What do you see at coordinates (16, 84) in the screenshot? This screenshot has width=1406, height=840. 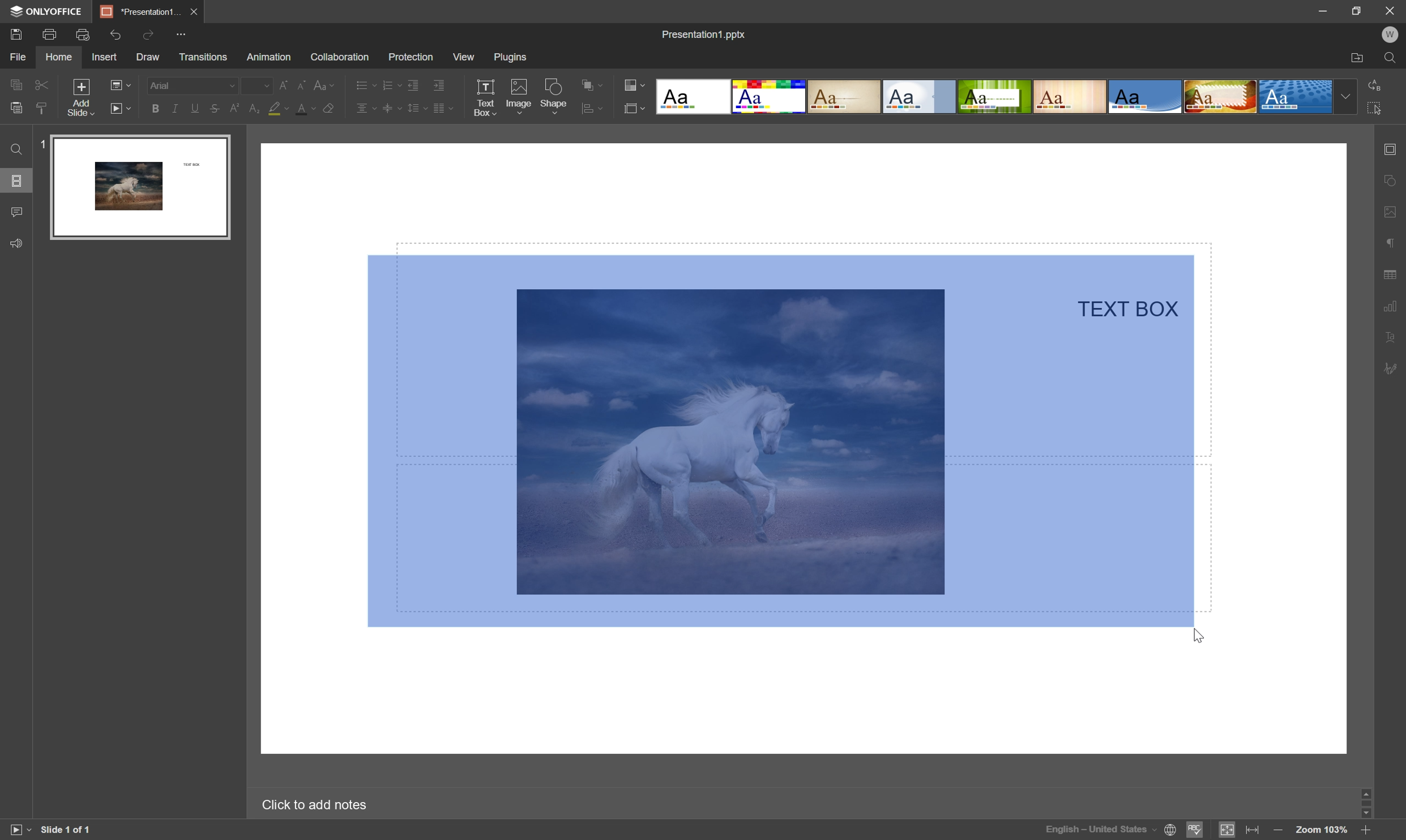 I see `copy` at bounding box center [16, 84].